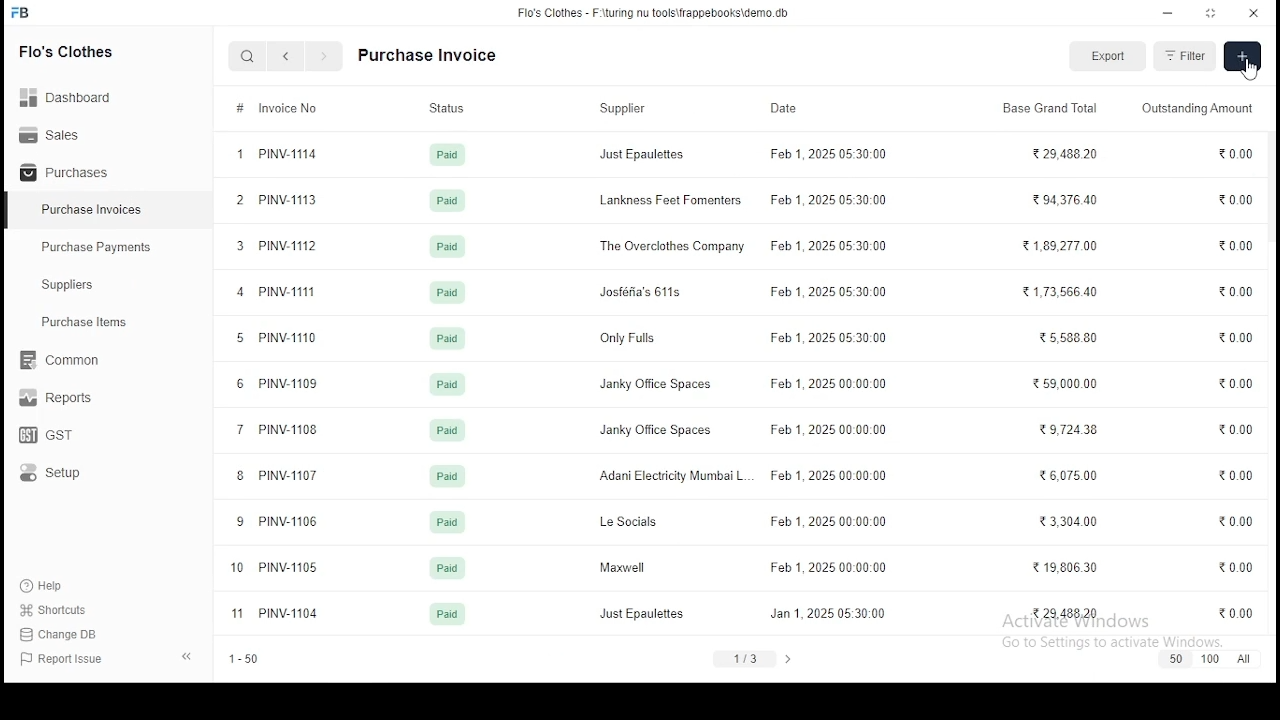  Describe the element at coordinates (241, 246) in the screenshot. I see `3` at that location.